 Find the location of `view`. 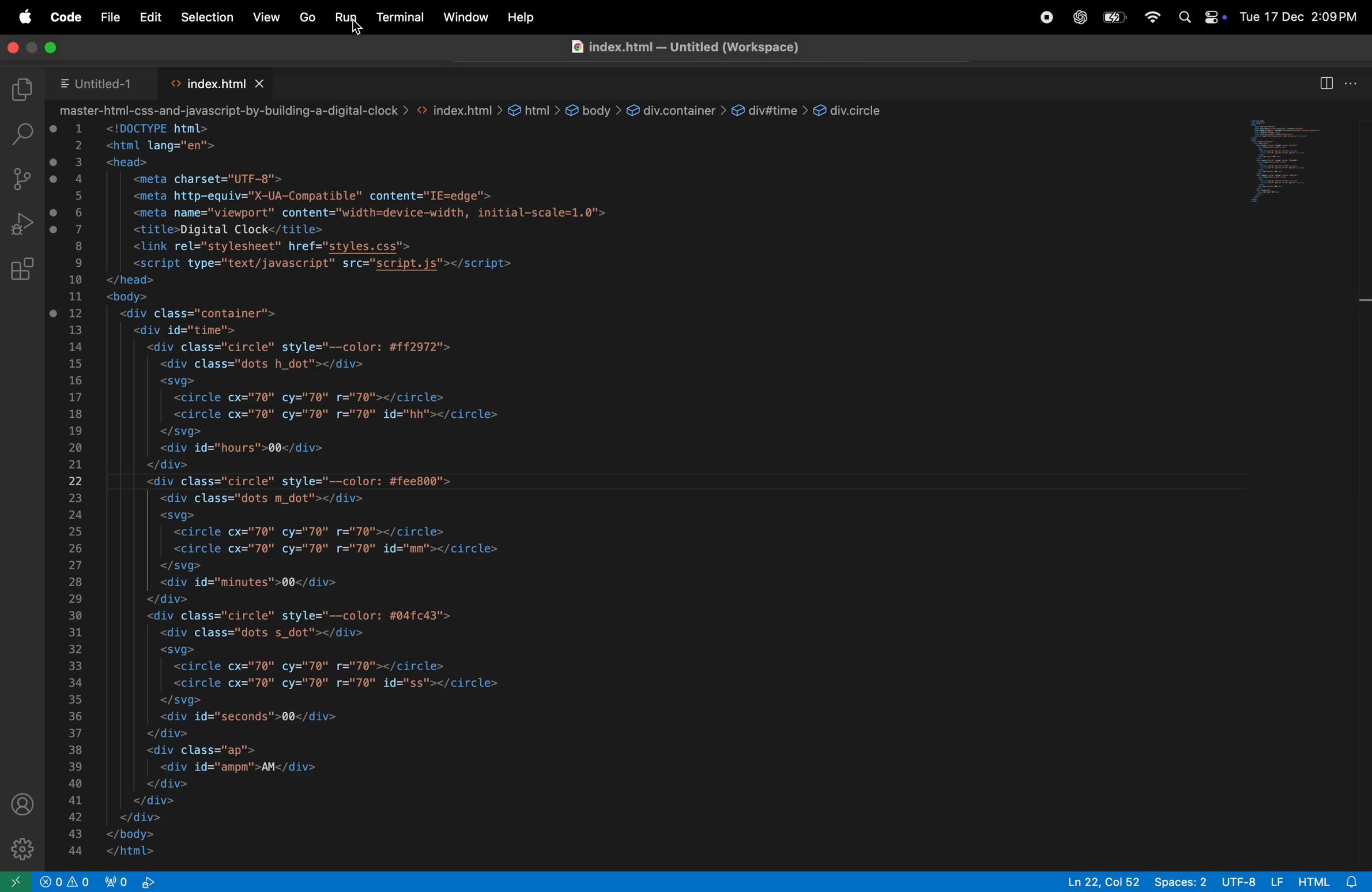

view is located at coordinates (267, 17).